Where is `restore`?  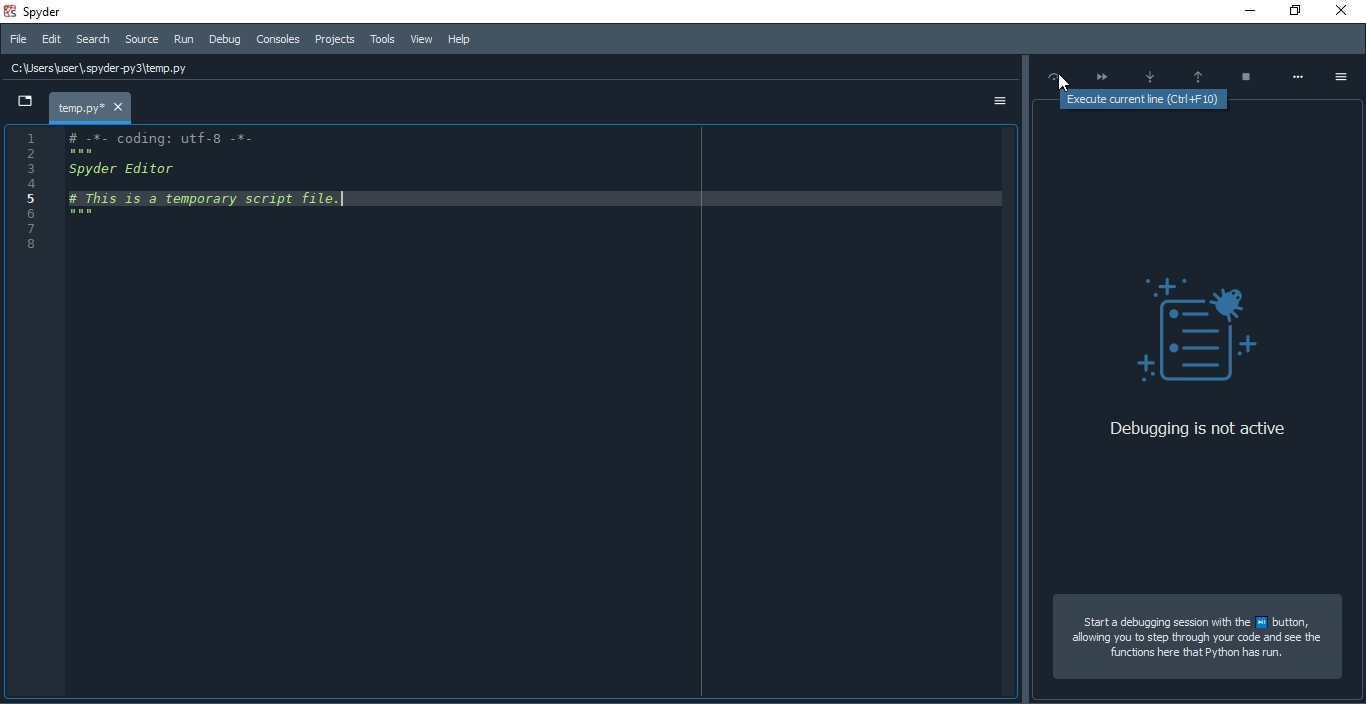
restore is located at coordinates (1294, 11).